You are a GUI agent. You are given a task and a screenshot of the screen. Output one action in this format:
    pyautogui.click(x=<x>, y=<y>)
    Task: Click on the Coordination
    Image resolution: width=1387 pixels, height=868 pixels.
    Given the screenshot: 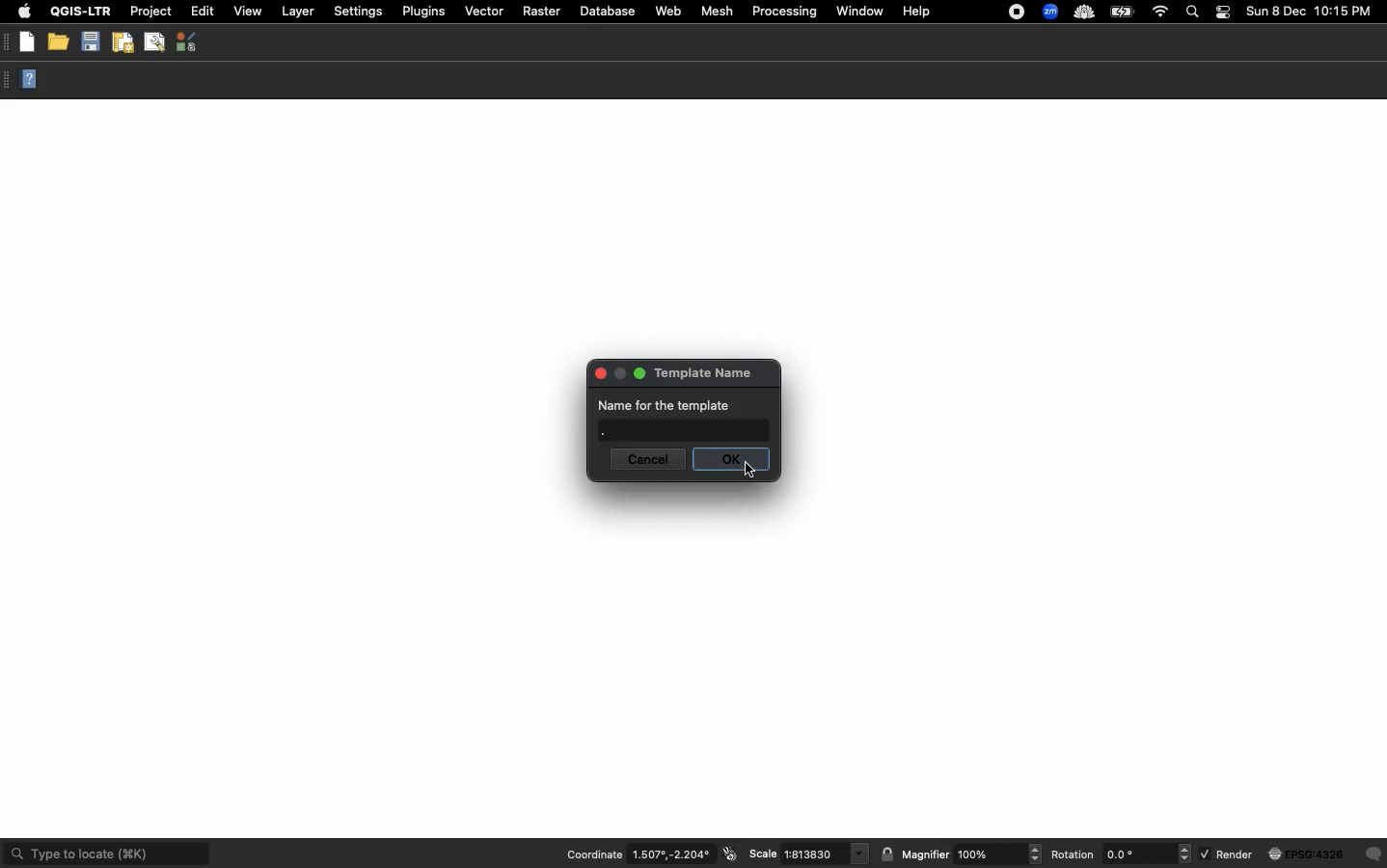 What is the action you would take?
    pyautogui.click(x=592, y=855)
    